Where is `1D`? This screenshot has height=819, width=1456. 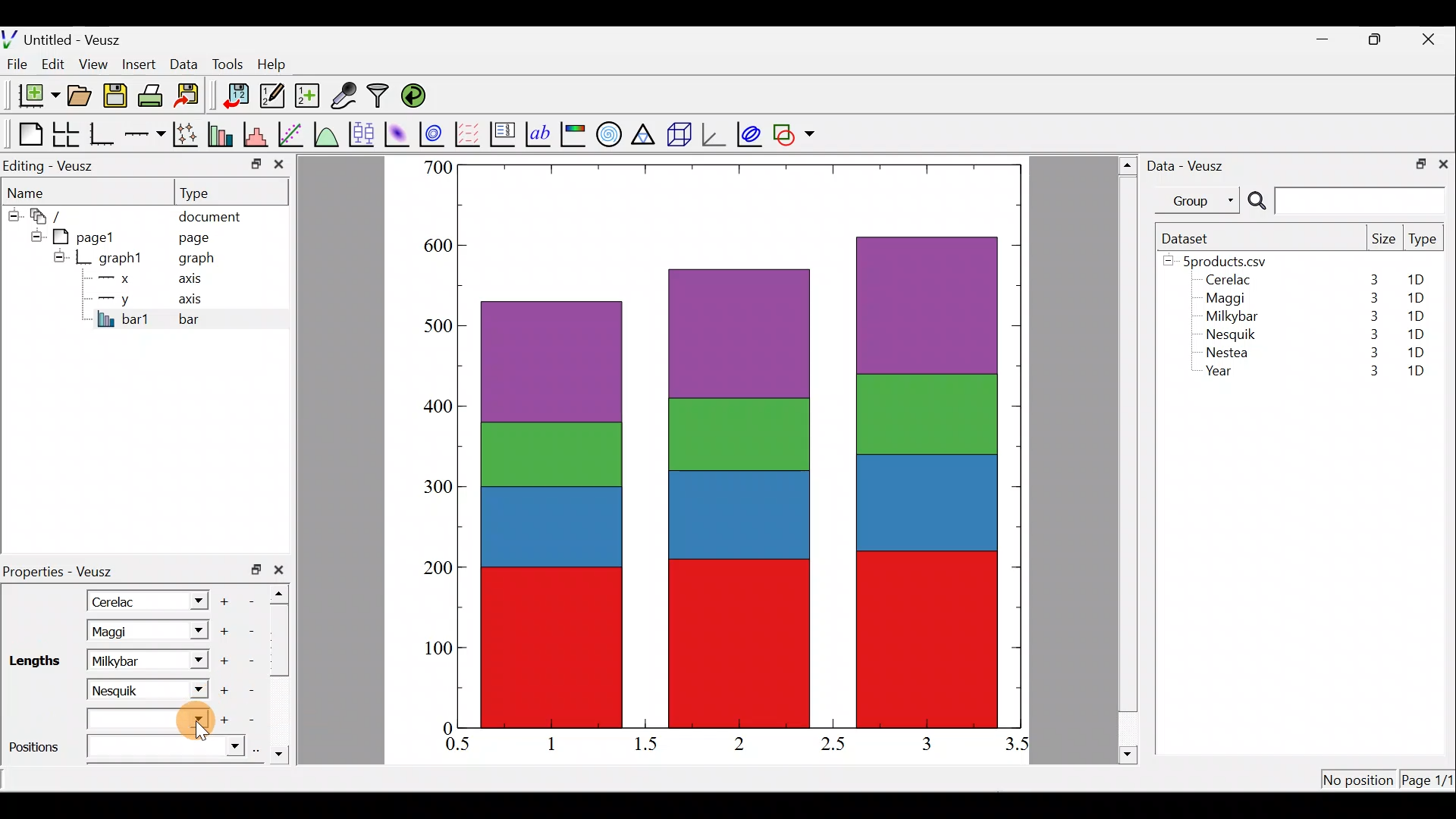 1D is located at coordinates (1418, 331).